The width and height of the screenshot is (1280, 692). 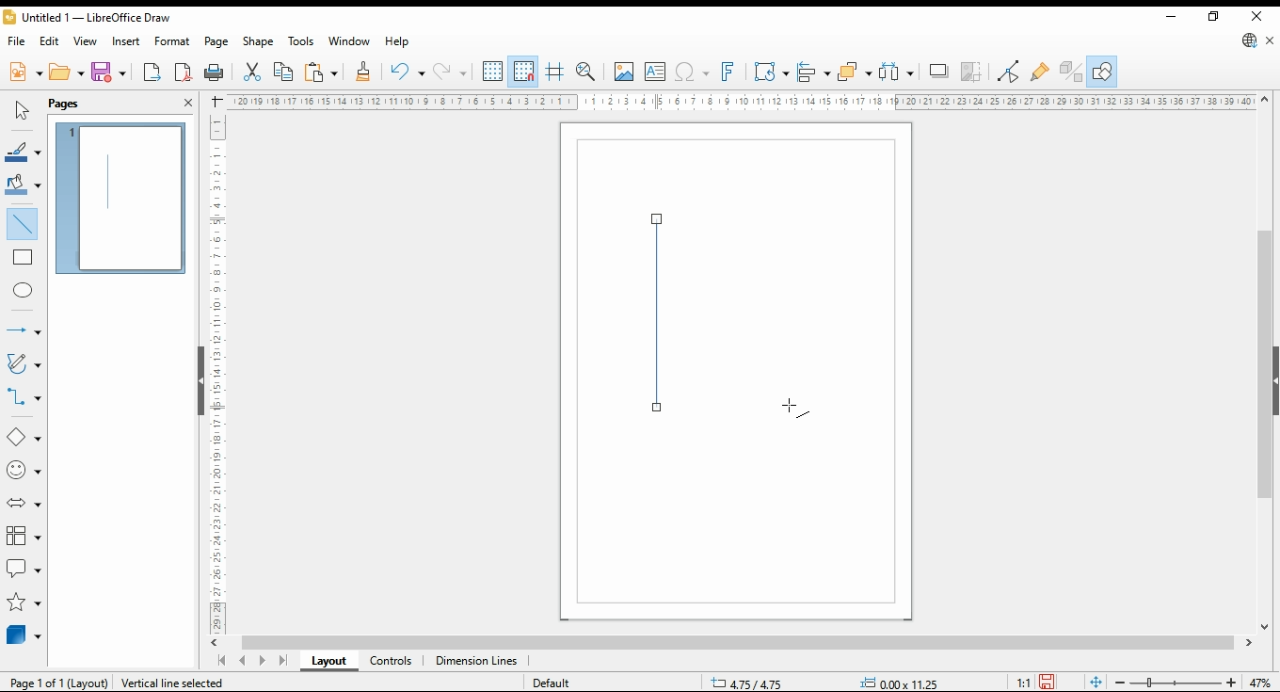 What do you see at coordinates (183, 72) in the screenshot?
I see `export as PDF` at bounding box center [183, 72].